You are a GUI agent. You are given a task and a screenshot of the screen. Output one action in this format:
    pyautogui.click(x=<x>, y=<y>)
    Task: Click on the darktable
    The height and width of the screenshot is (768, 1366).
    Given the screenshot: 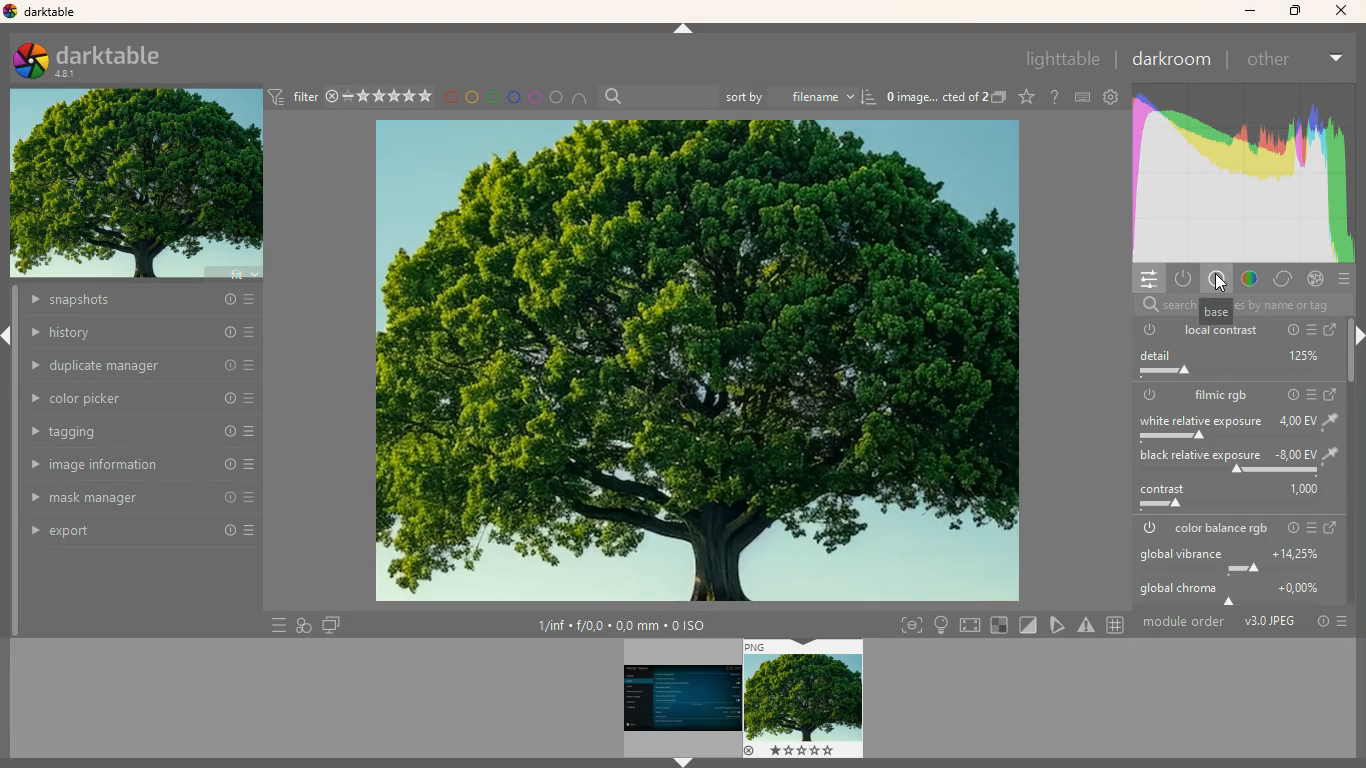 What is the action you would take?
    pyautogui.click(x=100, y=62)
    